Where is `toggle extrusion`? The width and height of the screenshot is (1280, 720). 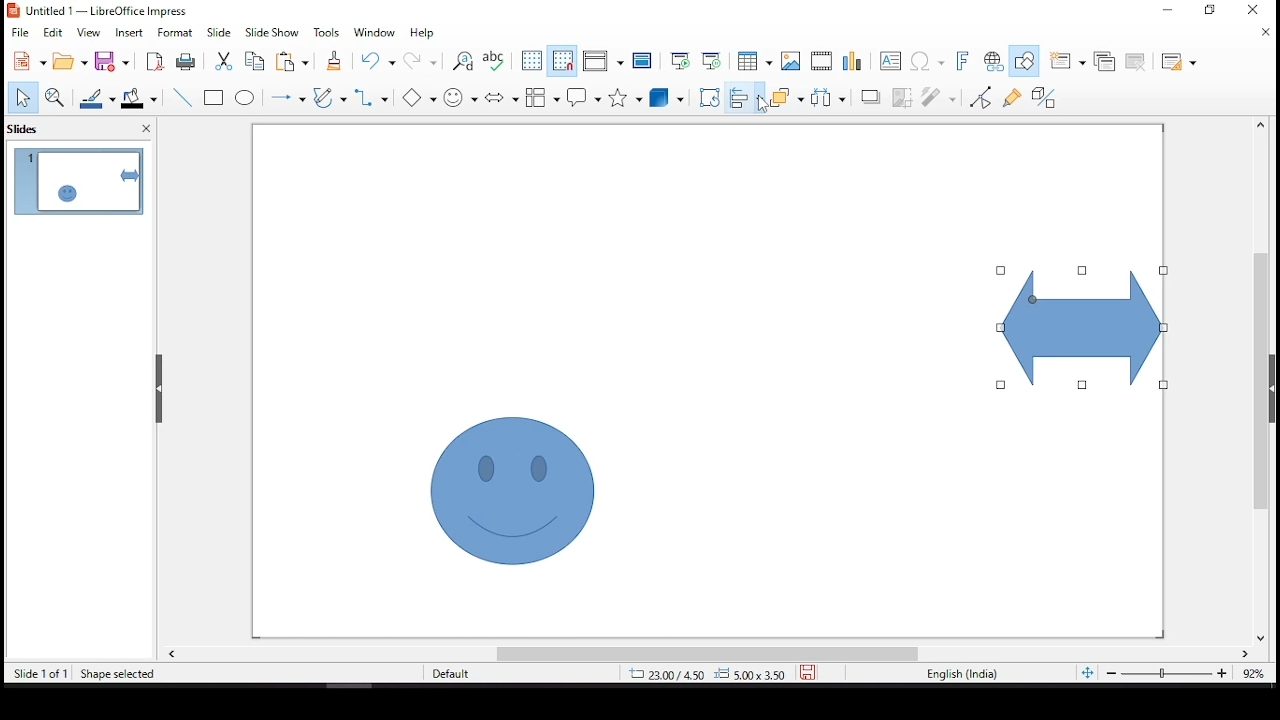
toggle extrusion is located at coordinates (1043, 99).